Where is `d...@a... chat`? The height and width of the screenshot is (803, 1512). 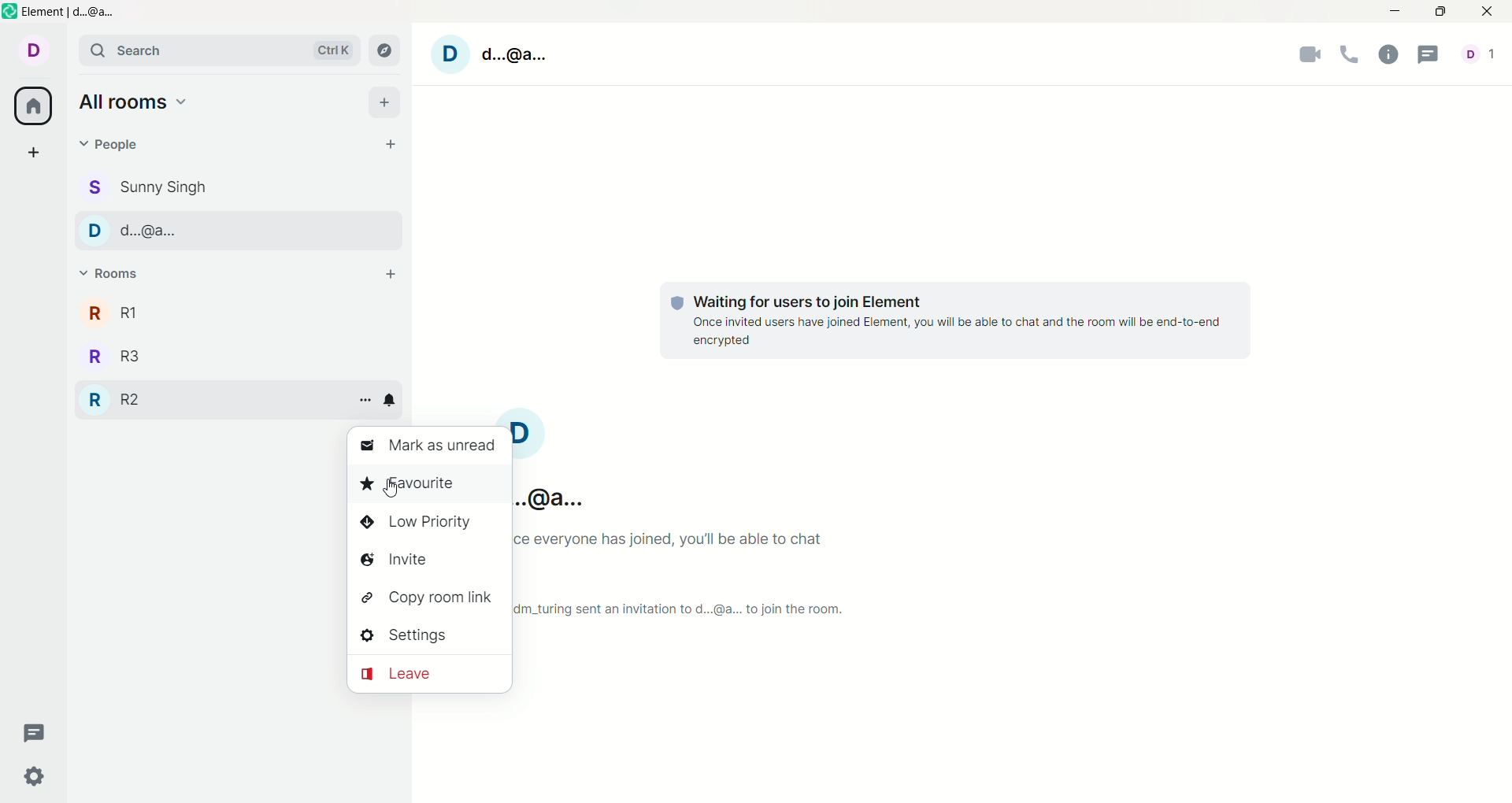
d...@a... chat is located at coordinates (224, 230).